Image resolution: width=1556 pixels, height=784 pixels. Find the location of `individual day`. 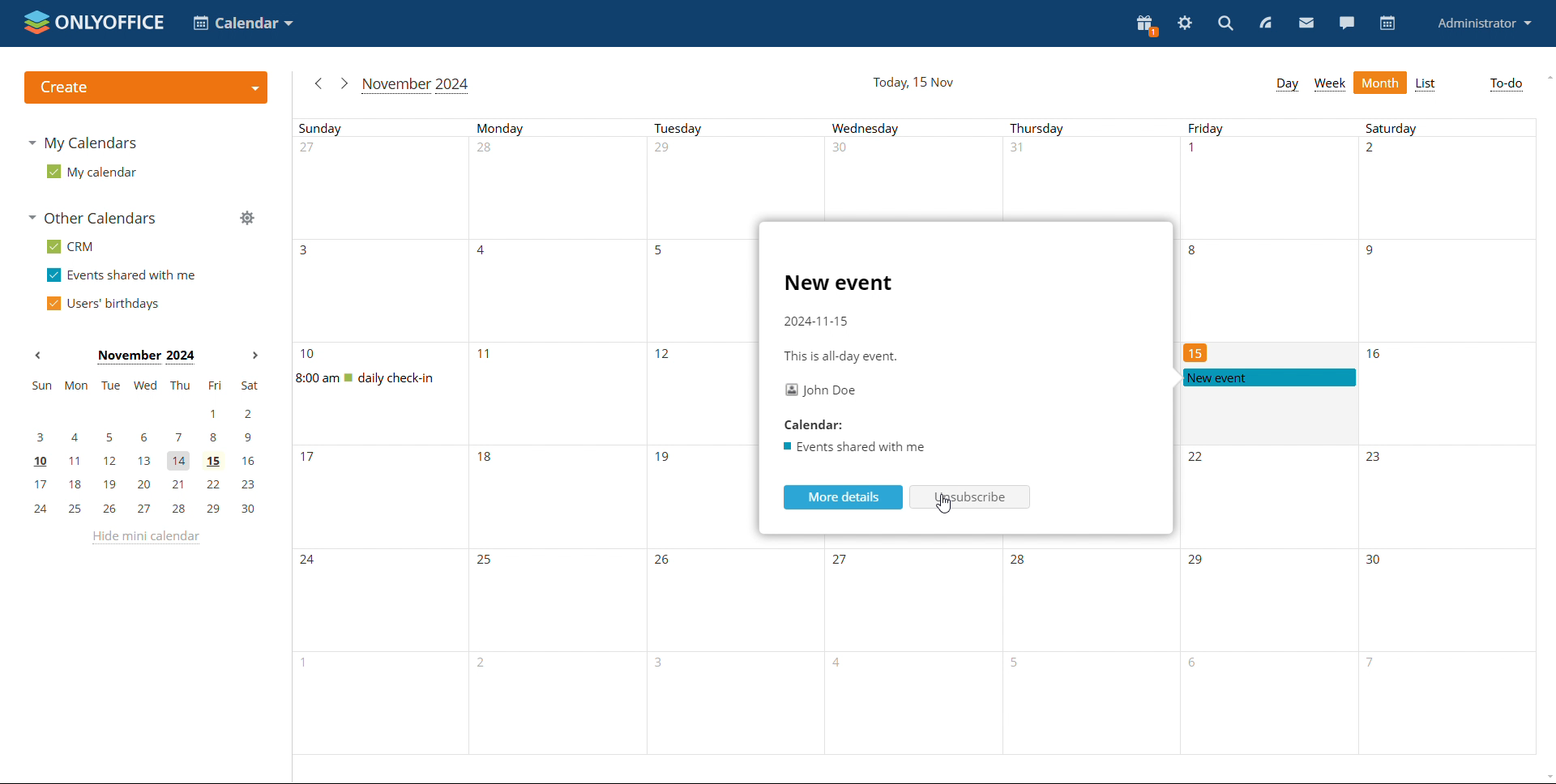

individual day is located at coordinates (561, 127).